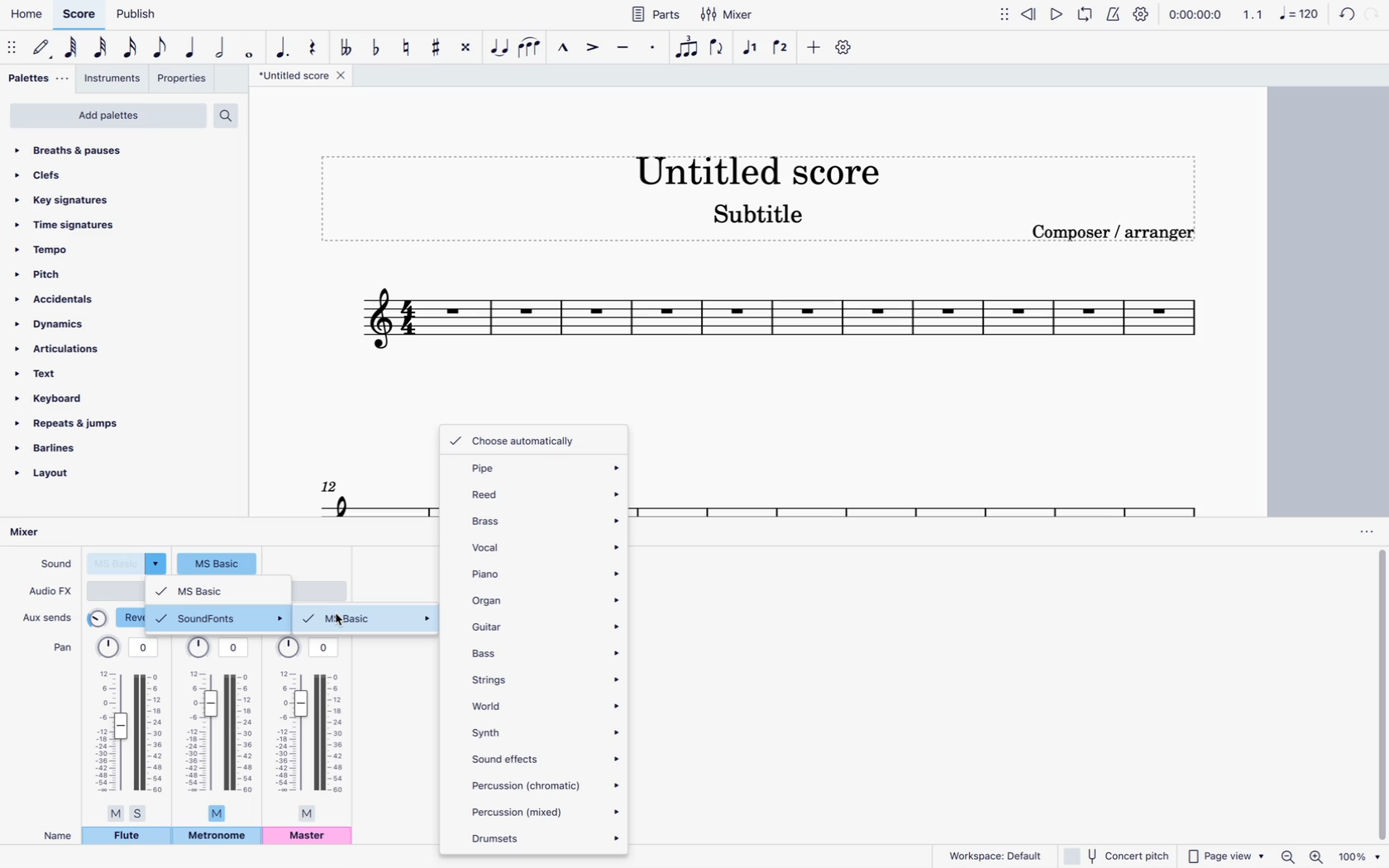 Image resolution: width=1389 pixels, height=868 pixels. Describe the element at coordinates (107, 117) in the screenshot. I see `add palettes` at that location.